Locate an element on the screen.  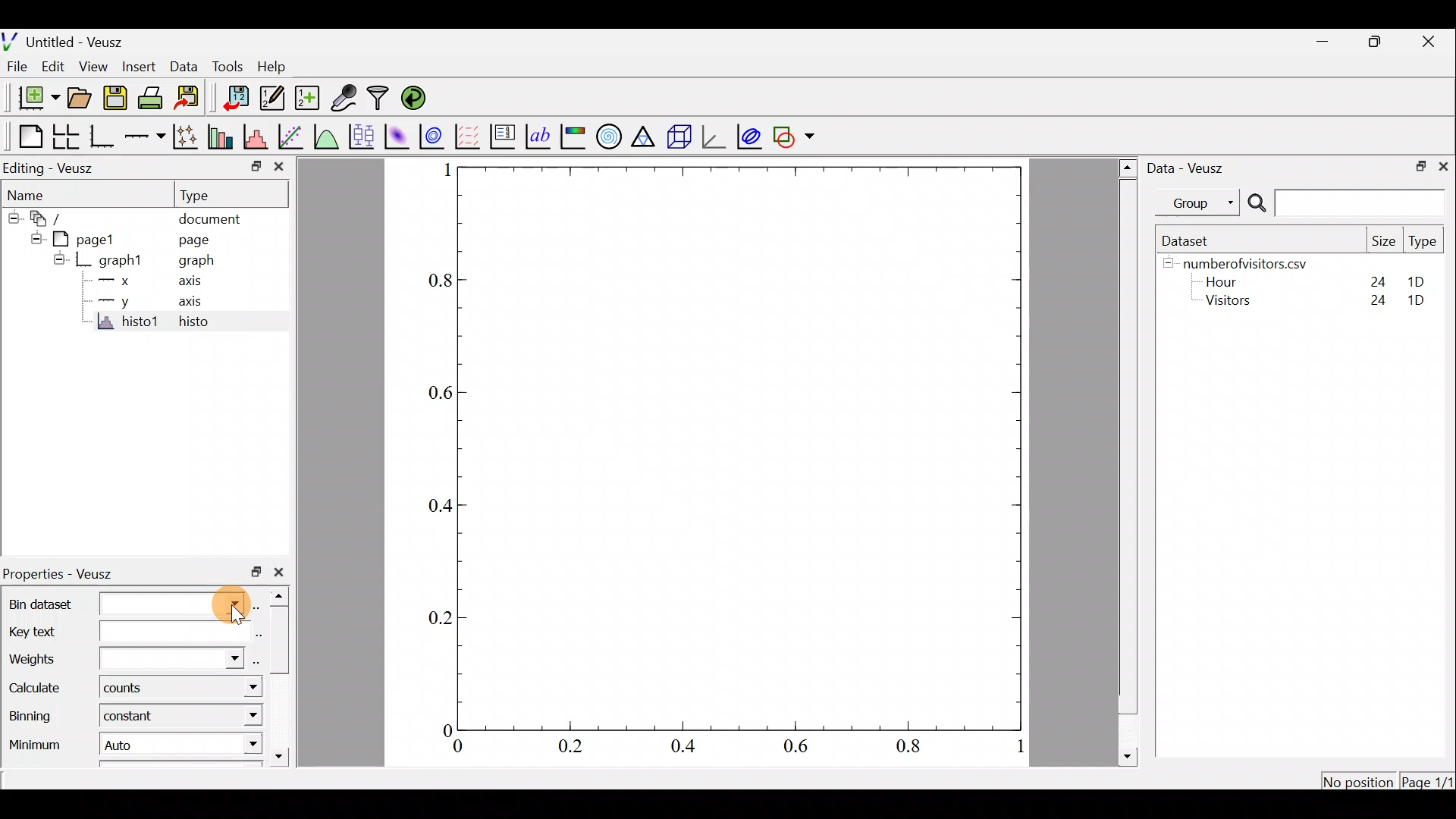
axis is located at coordinates (188, 305).